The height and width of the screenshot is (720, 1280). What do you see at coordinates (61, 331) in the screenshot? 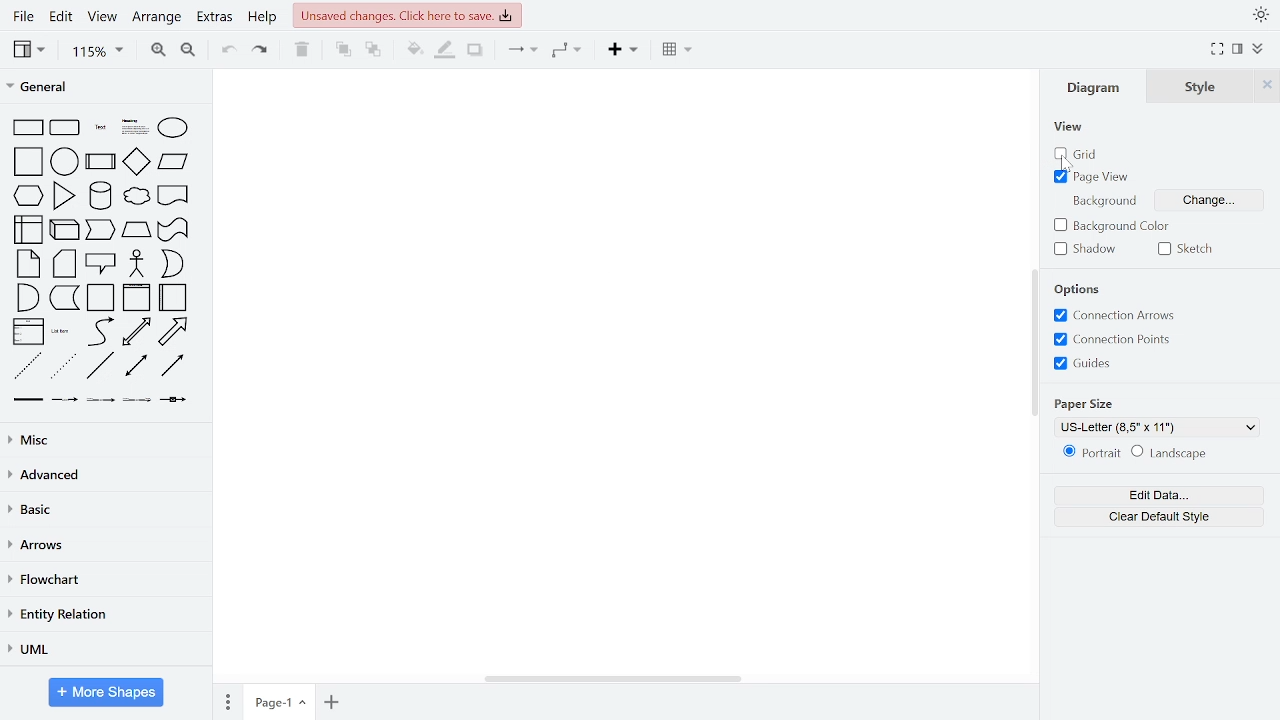
I see `list item` at bounding box center [61, 331].